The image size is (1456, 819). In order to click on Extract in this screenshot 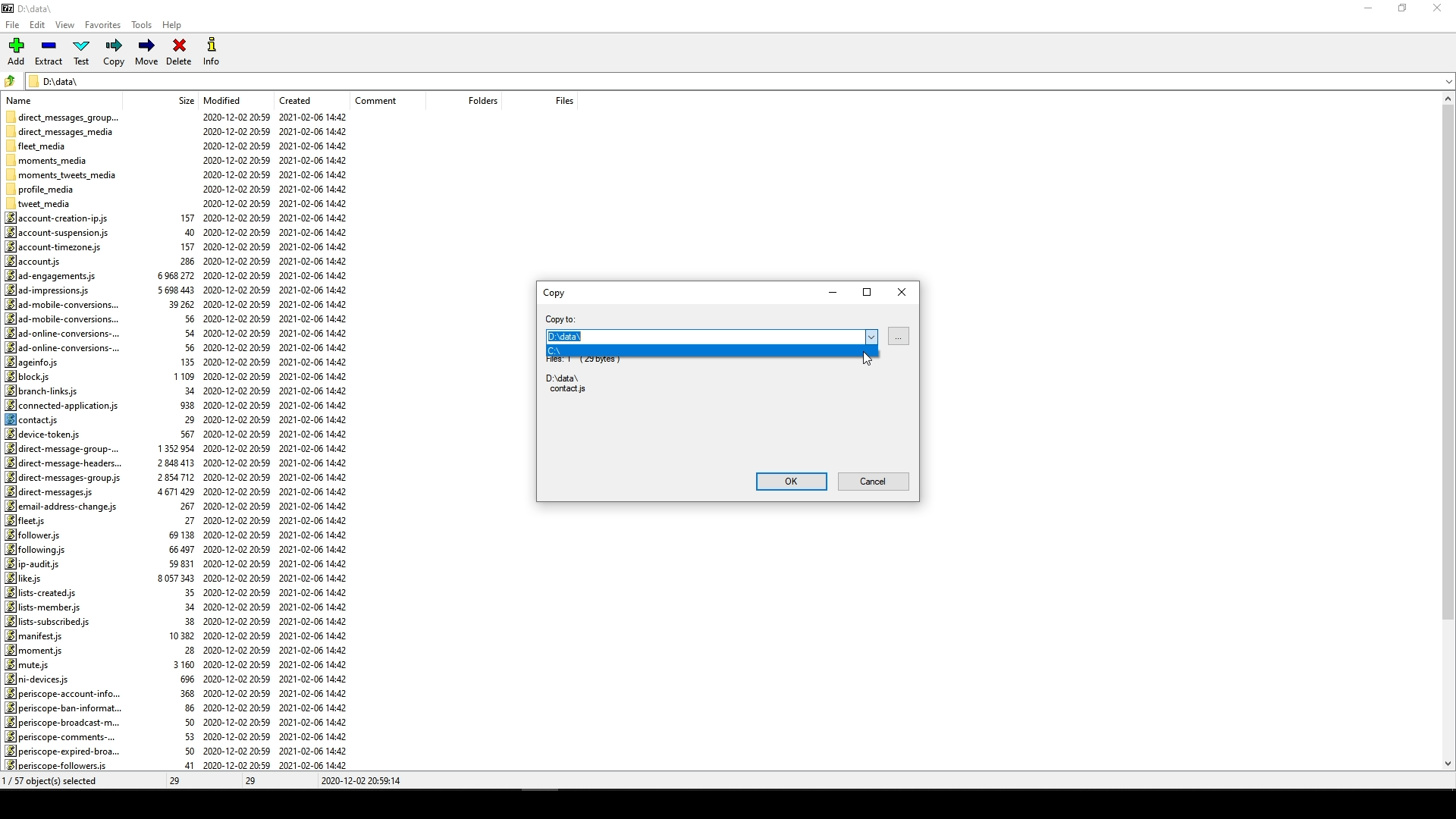, I will do `click(51, 52)`.